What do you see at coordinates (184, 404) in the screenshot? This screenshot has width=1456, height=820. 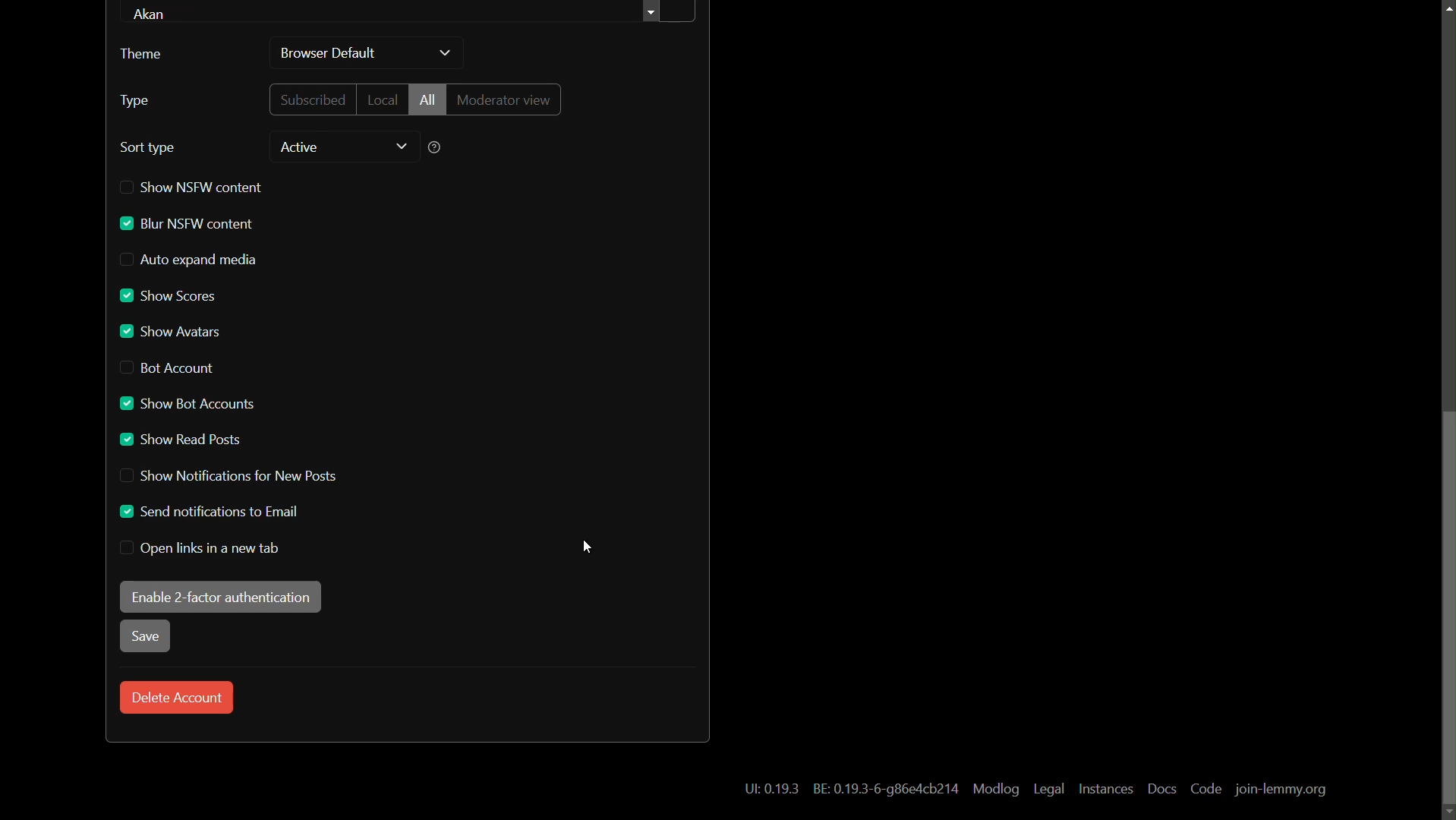 I see `show bot accounts` at bounding box center [184, 404].